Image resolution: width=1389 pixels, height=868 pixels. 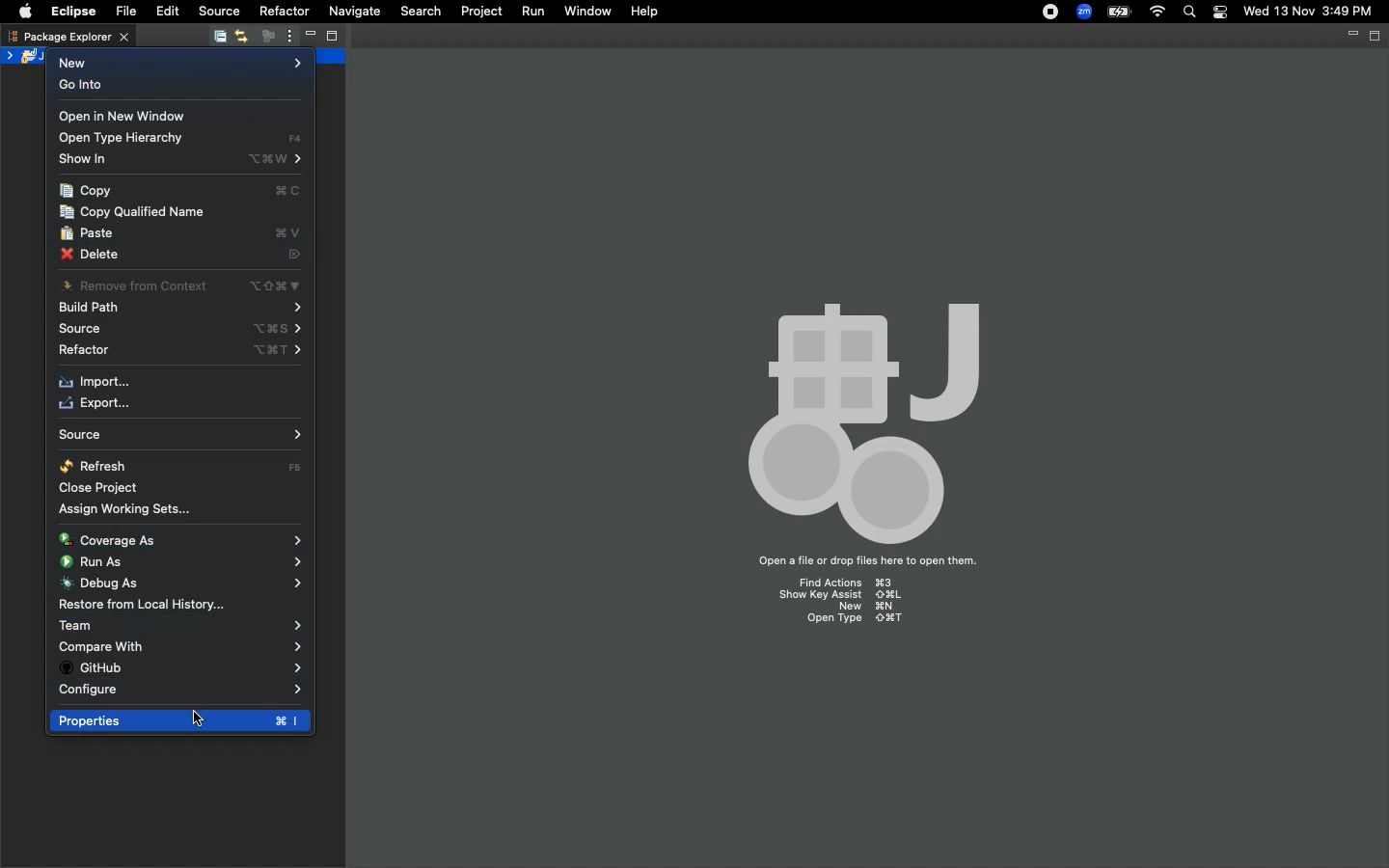 What do you see at coordinates (182, 691) in the screenshot?
I see `Configure` at bounding box center [182, 691].